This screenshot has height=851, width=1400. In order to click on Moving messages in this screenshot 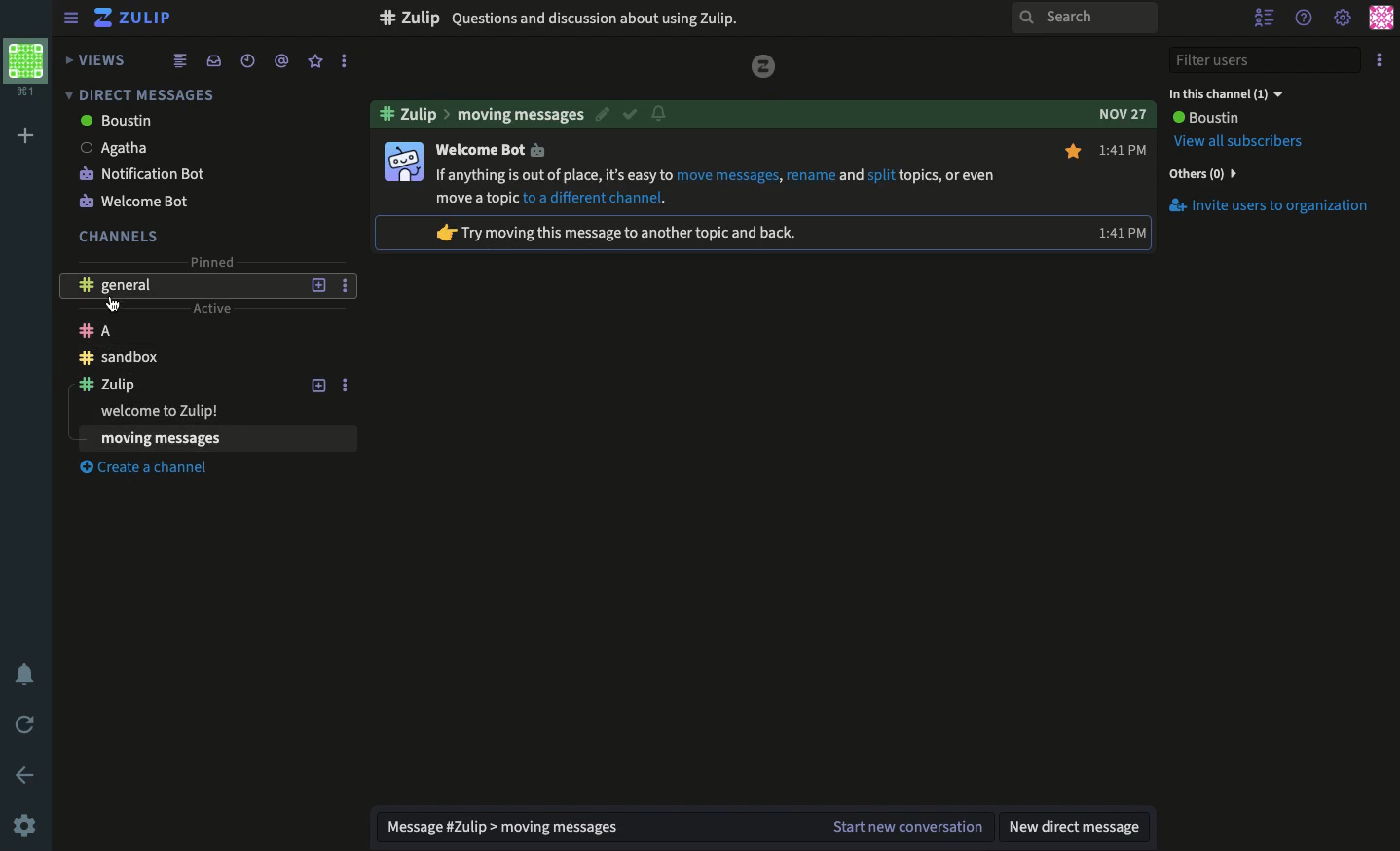, I will do `click(522, 113)`.